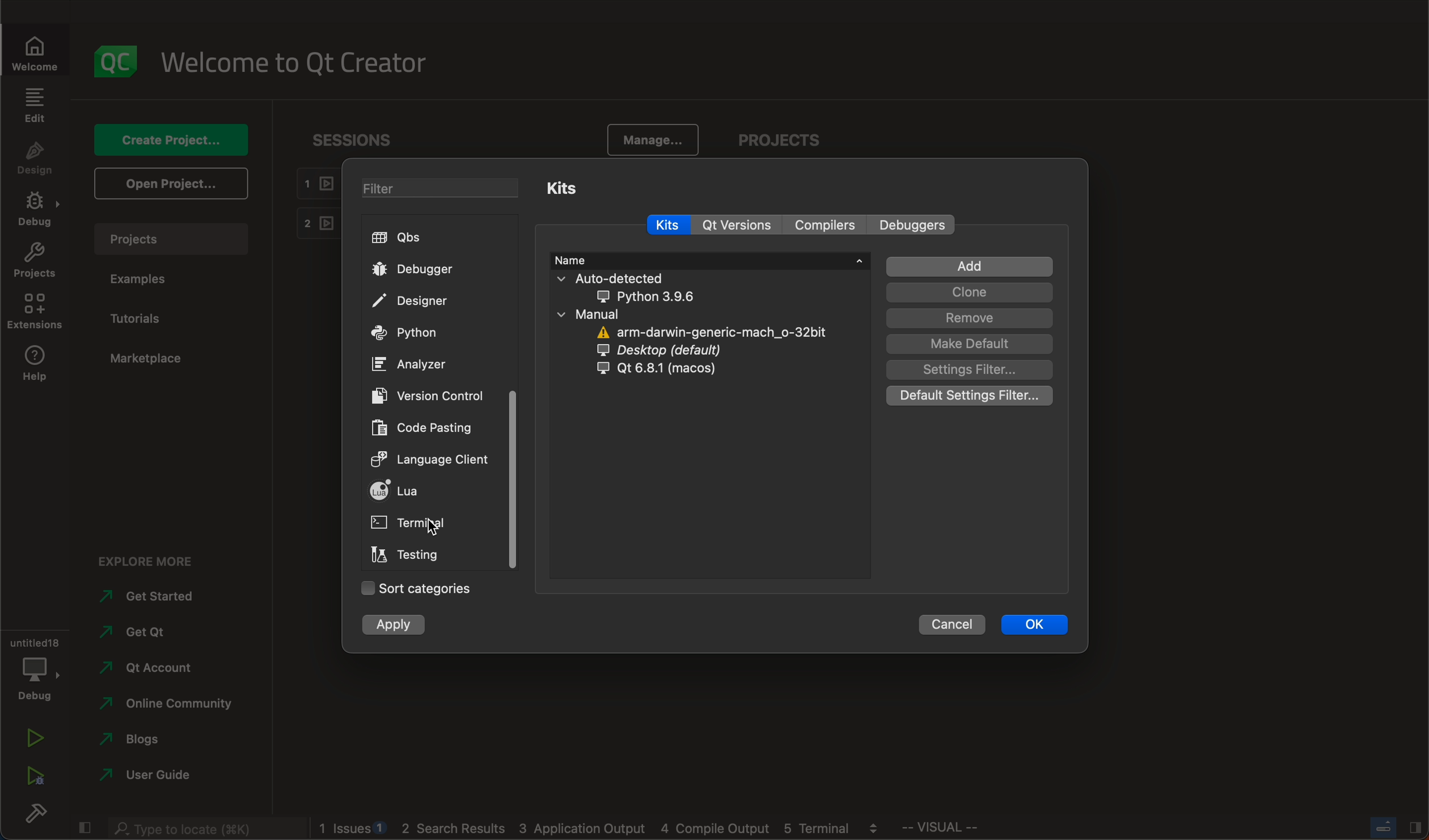 This screenshot has height=840, width=1429. I want to click on version, so click(434, 394).